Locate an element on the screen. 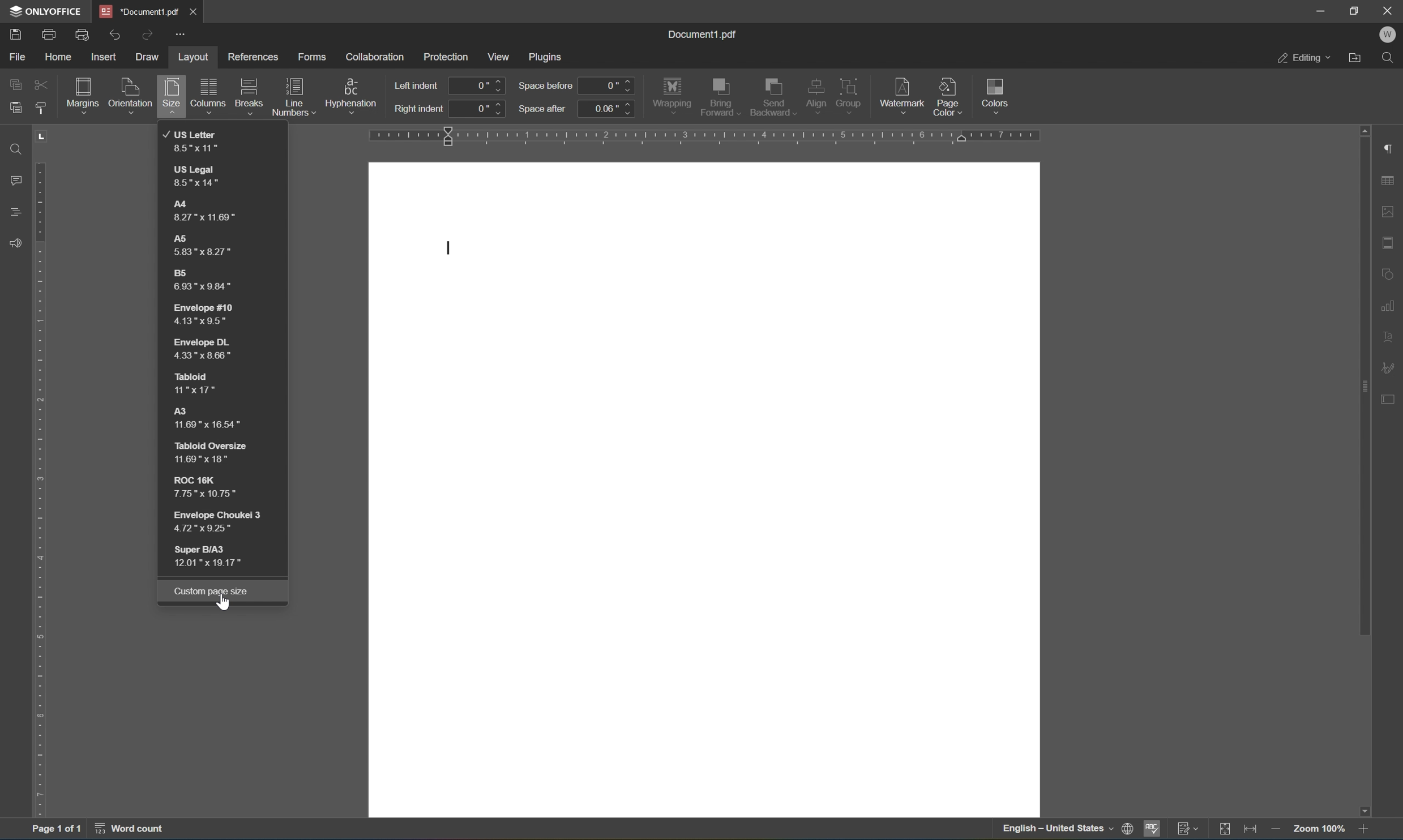 Image resolution: width=1403 pixels, height=840 pixels. align is located at coordinates (816, 96).